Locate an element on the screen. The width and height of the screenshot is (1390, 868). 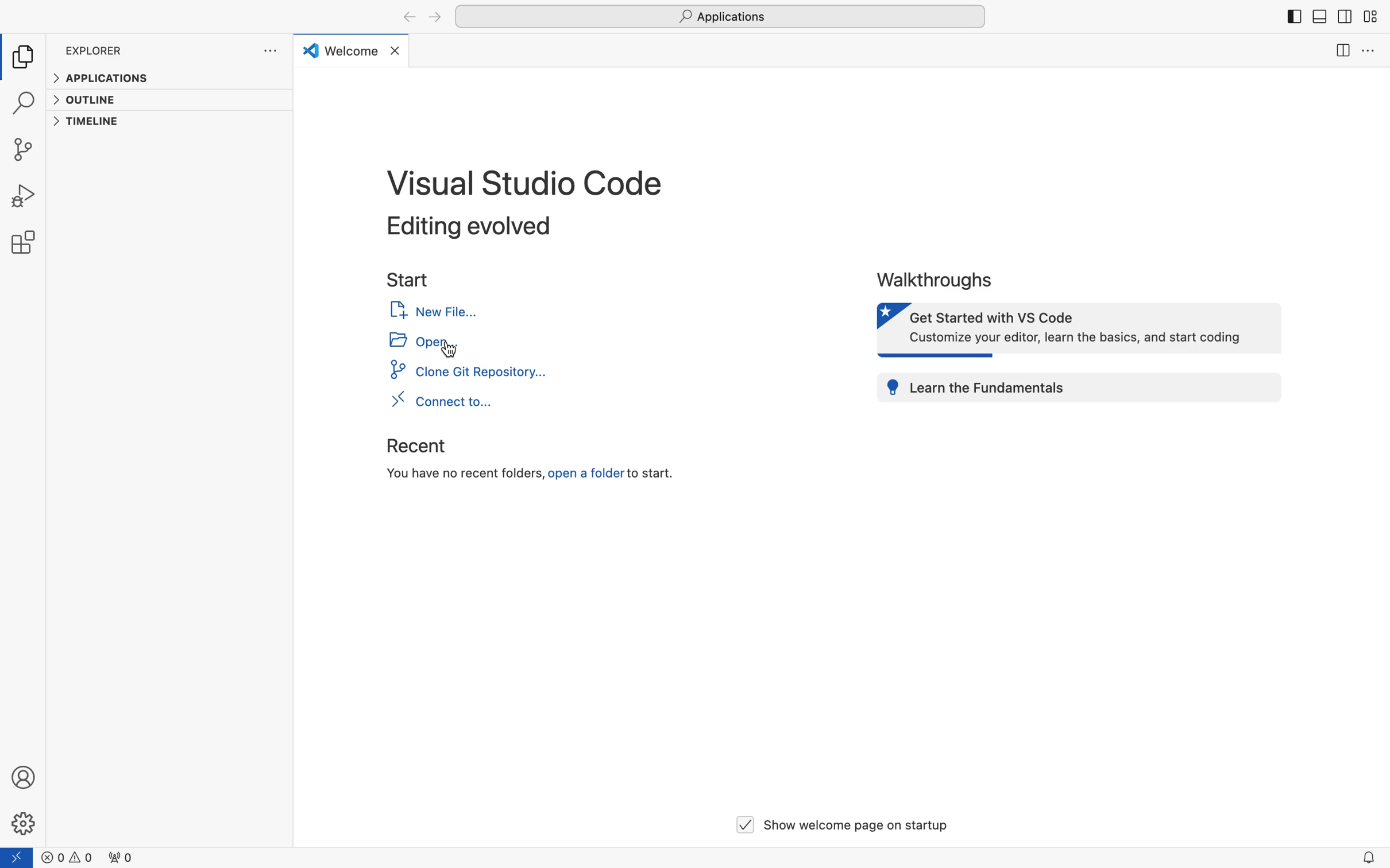
split editor right is located at coordinates (1340, 51).